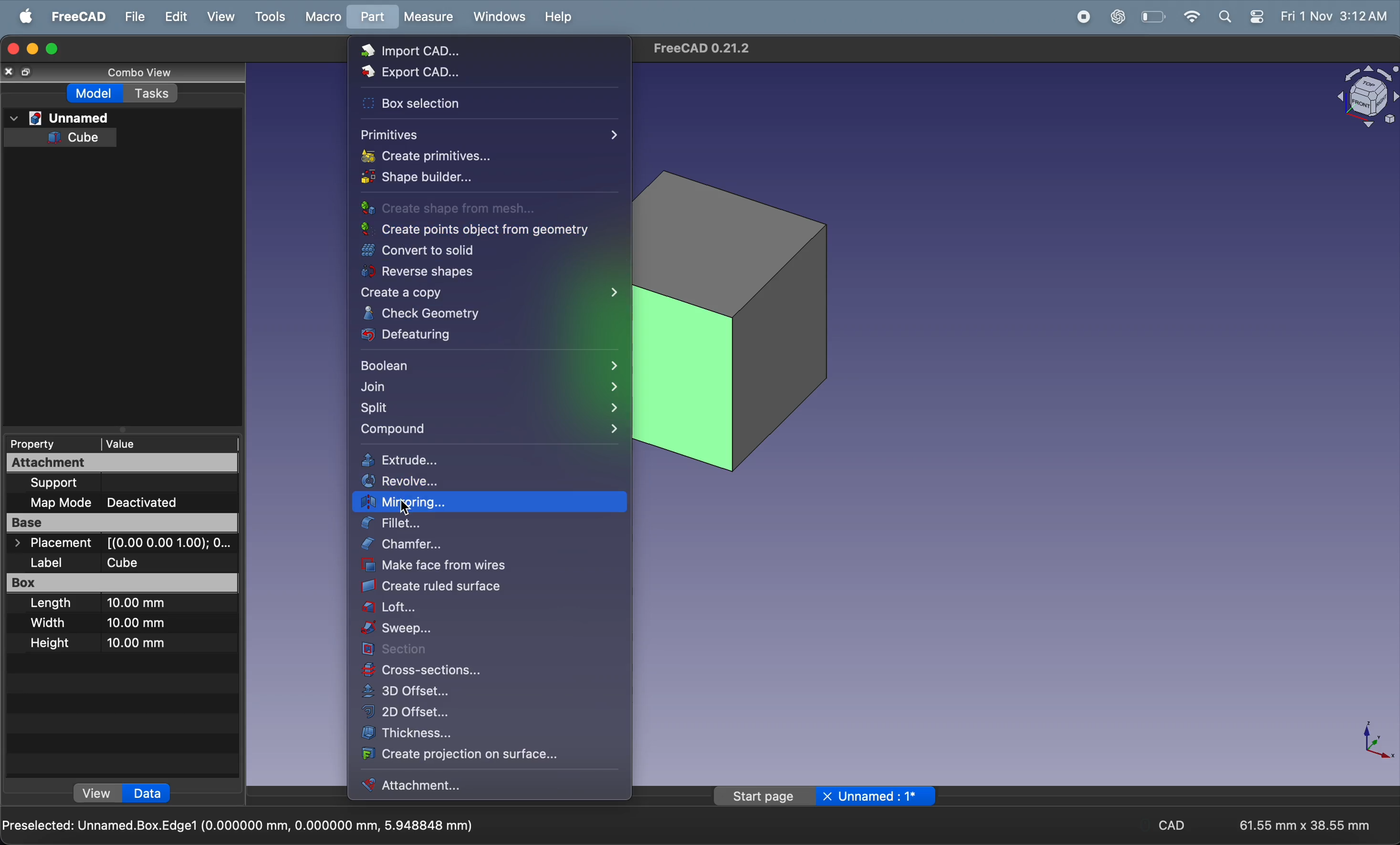 The height and width of the screenshot is (845, 1400). What do you see at coordinates (479, 229) in the screenshot?
I see `create points object from geometry` at bounding box center [479, 229].